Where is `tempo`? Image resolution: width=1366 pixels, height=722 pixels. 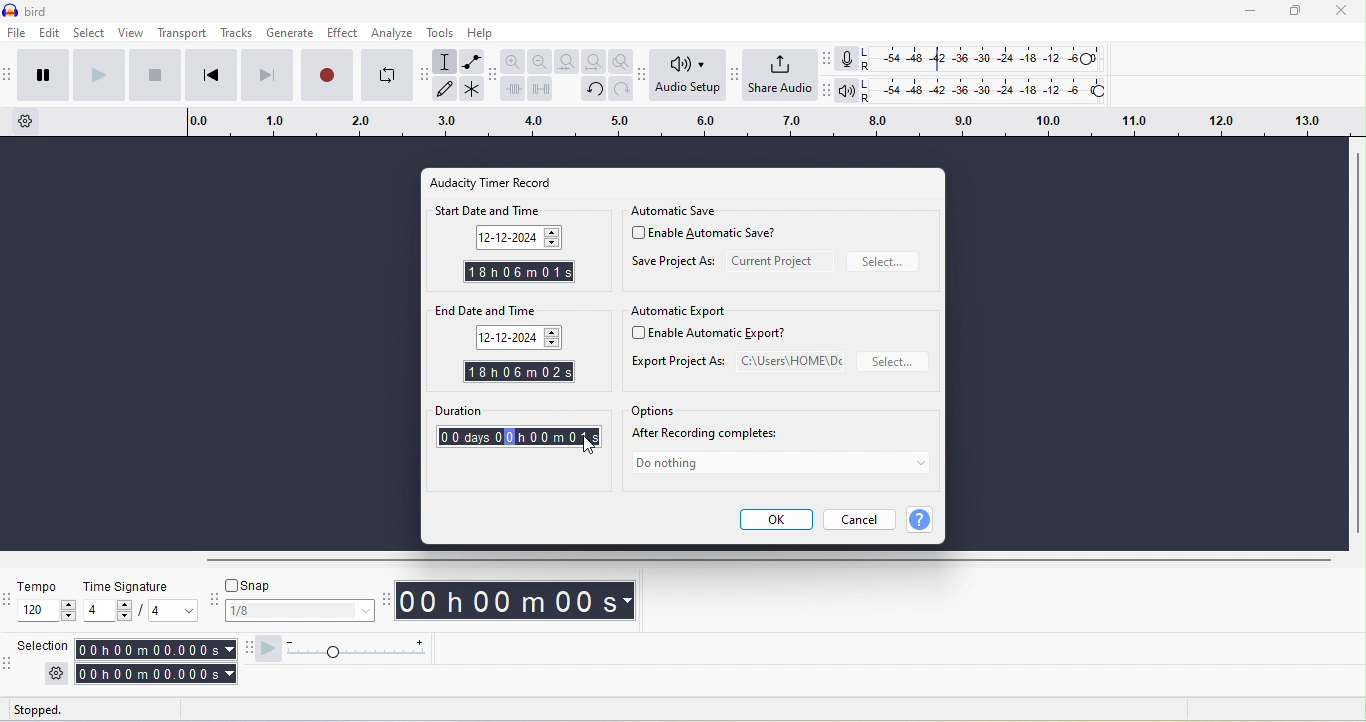
tempo is located at coordinates (48, 614).